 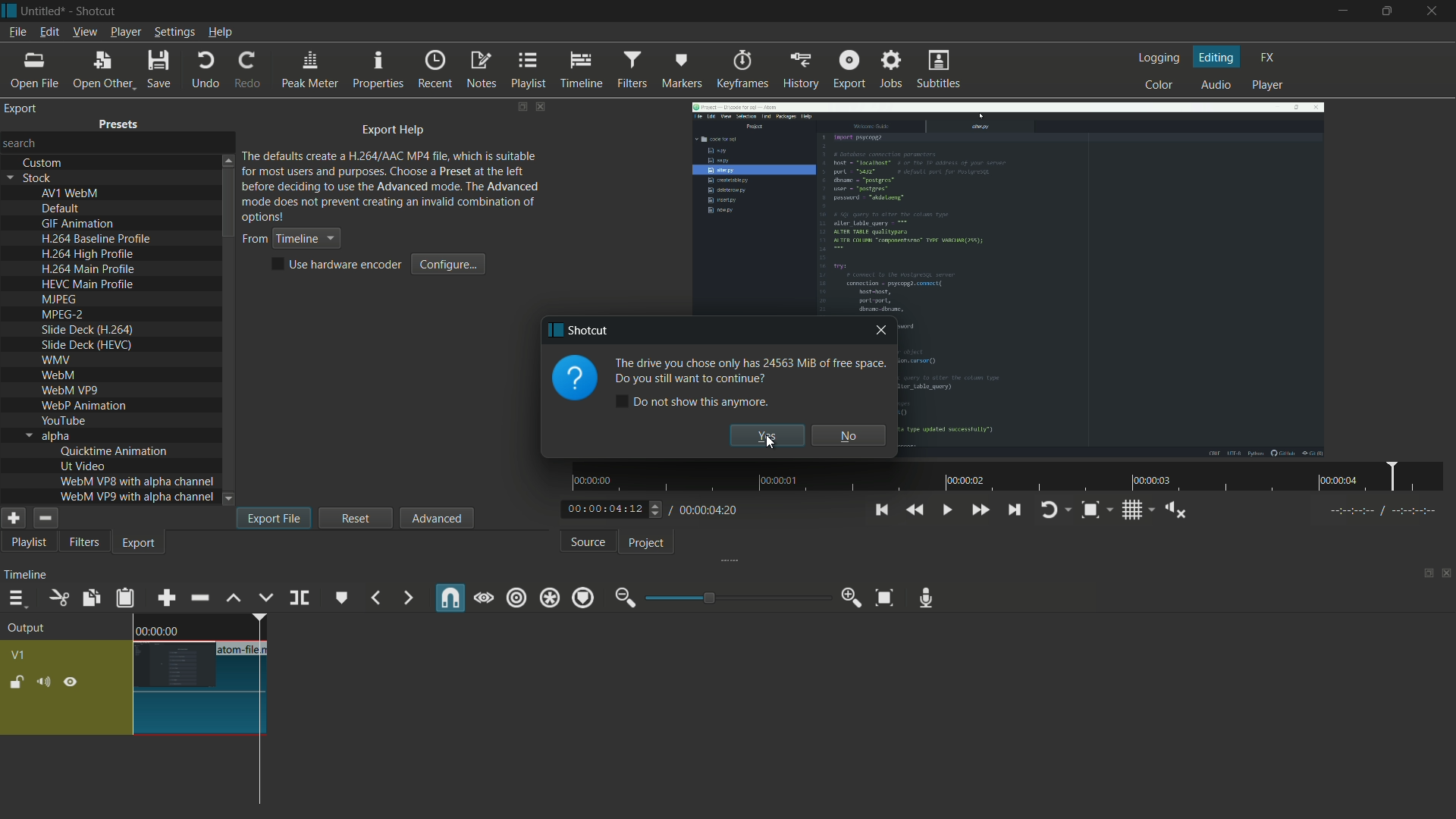 What do you see at coordinates (682, 69) in the screenshot?
I see `markers` at bounding box center [682, 69].